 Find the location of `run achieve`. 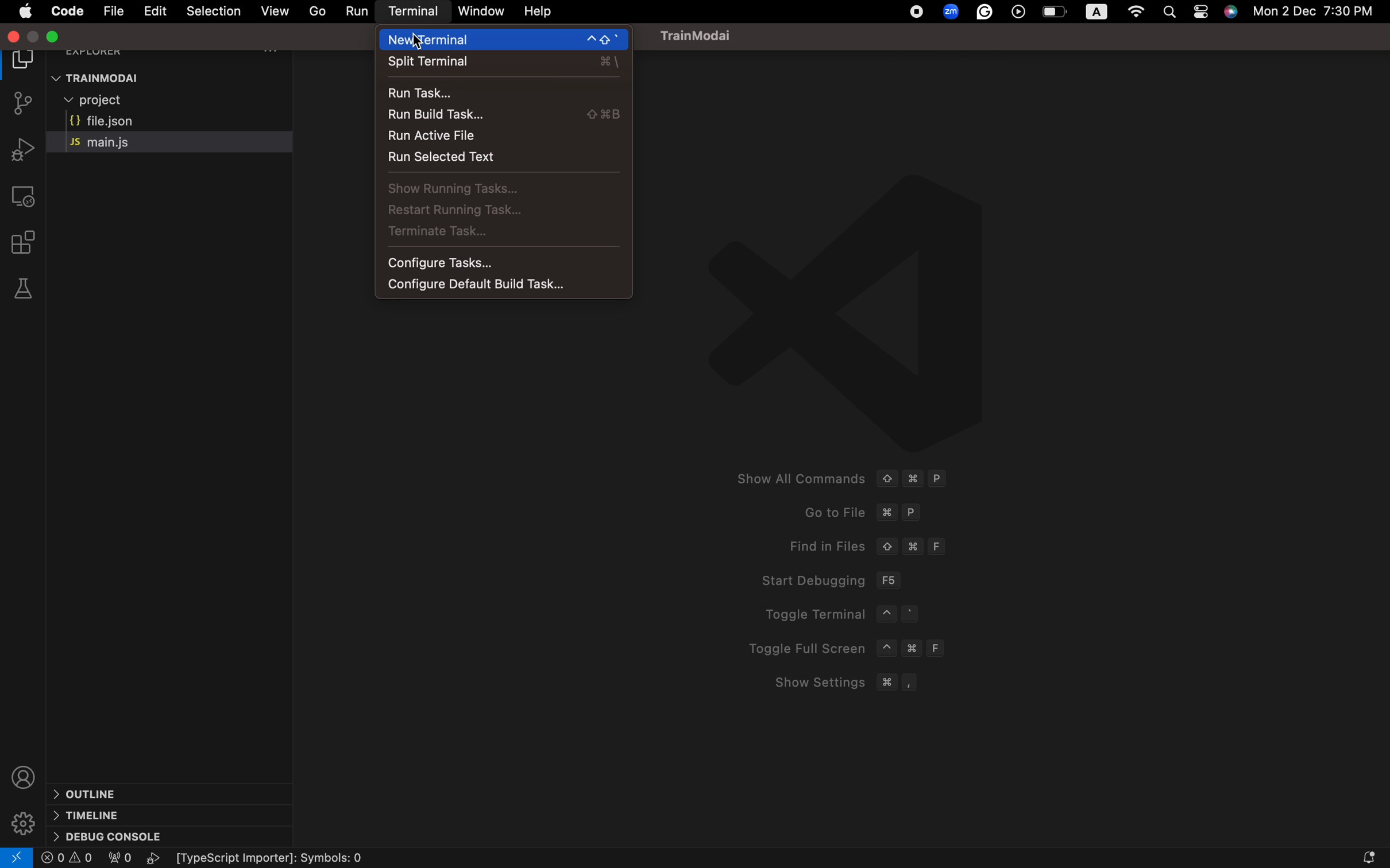

run achieve is located at coordinates (501, 138).